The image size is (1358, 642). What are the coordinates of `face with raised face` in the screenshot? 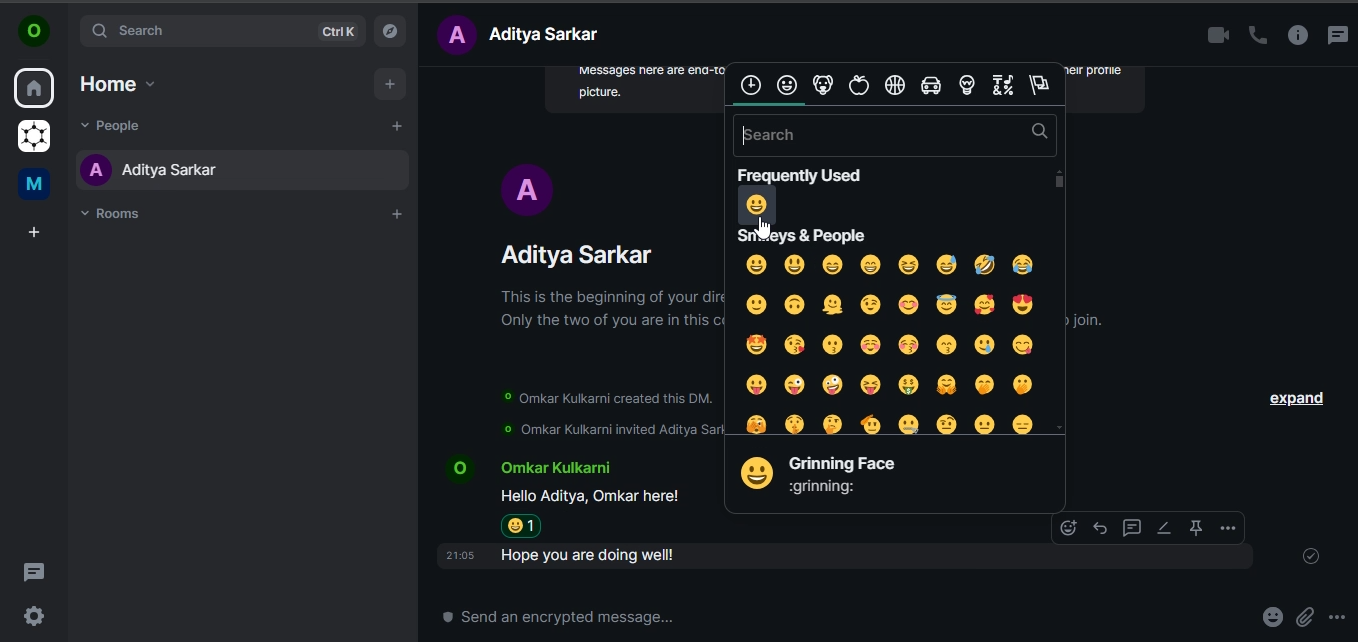 It's located at (948, 421).